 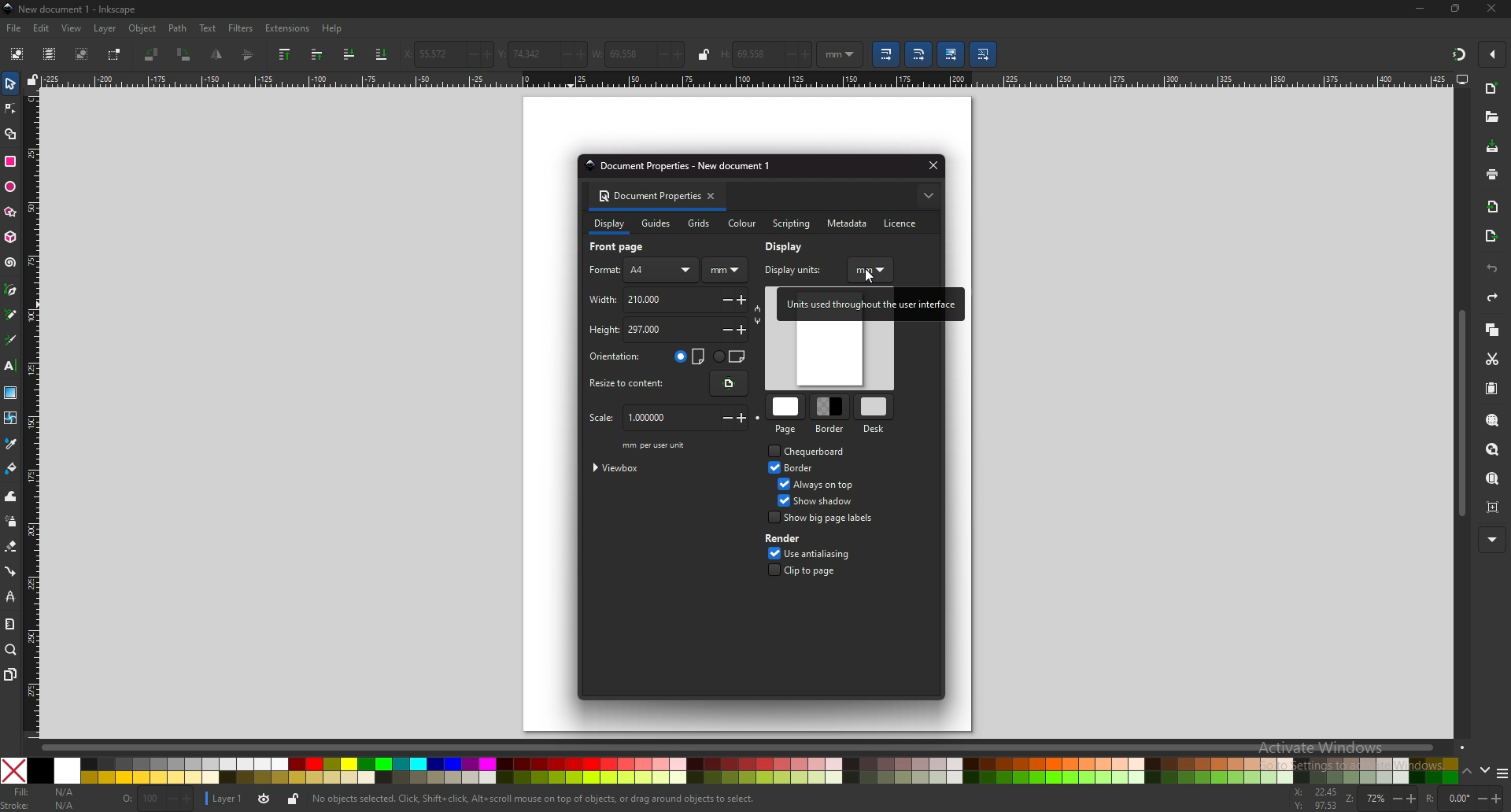 What do you see at coordinates (770, 570) in the screenshot?
I see `Checkbox` at bounding box center [770, 570].